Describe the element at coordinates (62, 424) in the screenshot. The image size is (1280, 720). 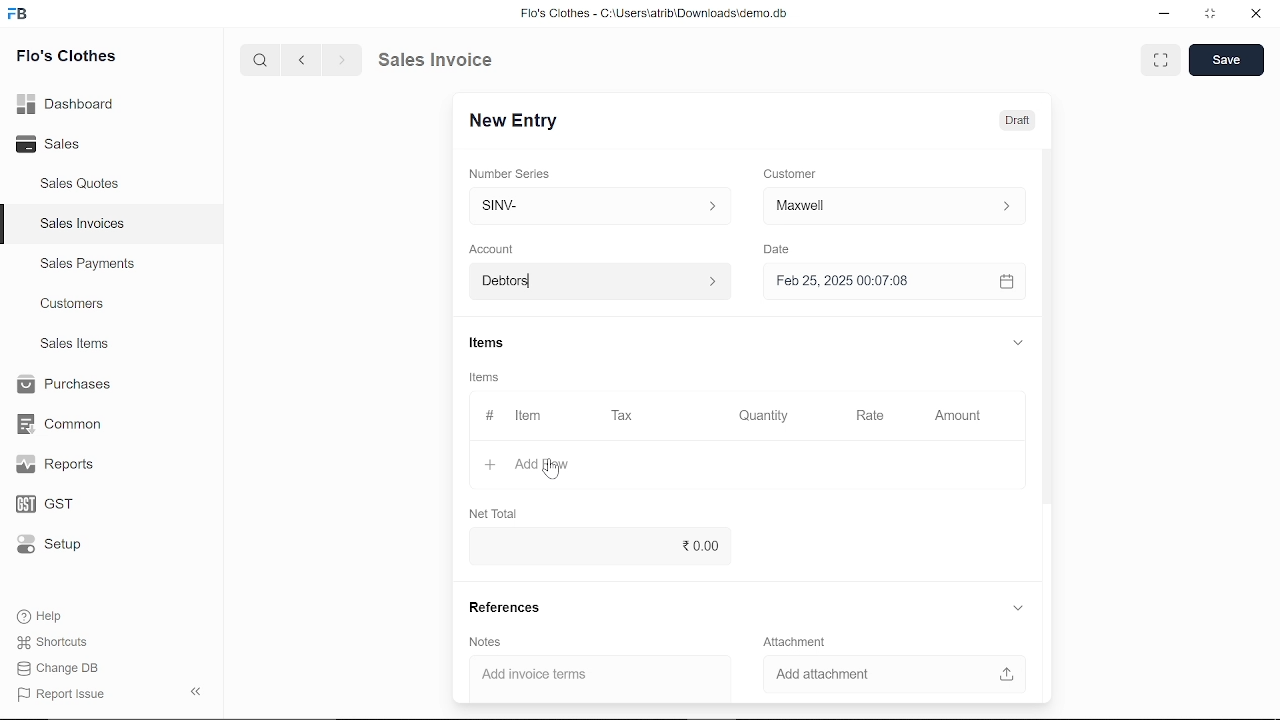
I see `Common` at that location.